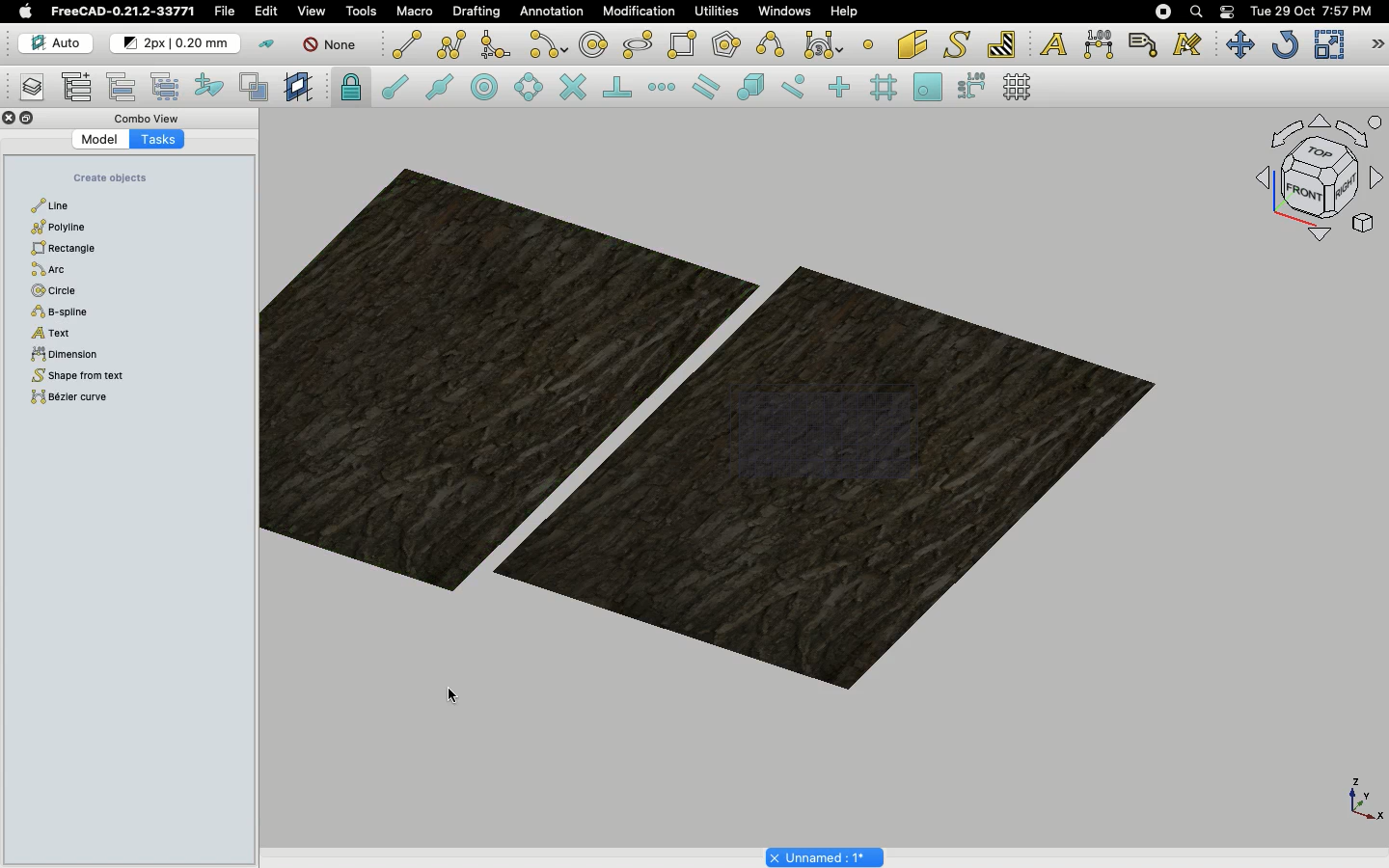 This screenshot has width=1389, height=868. Describe the element at coordinates (144, 217) in the screenshot. I see `cursor` at that location.